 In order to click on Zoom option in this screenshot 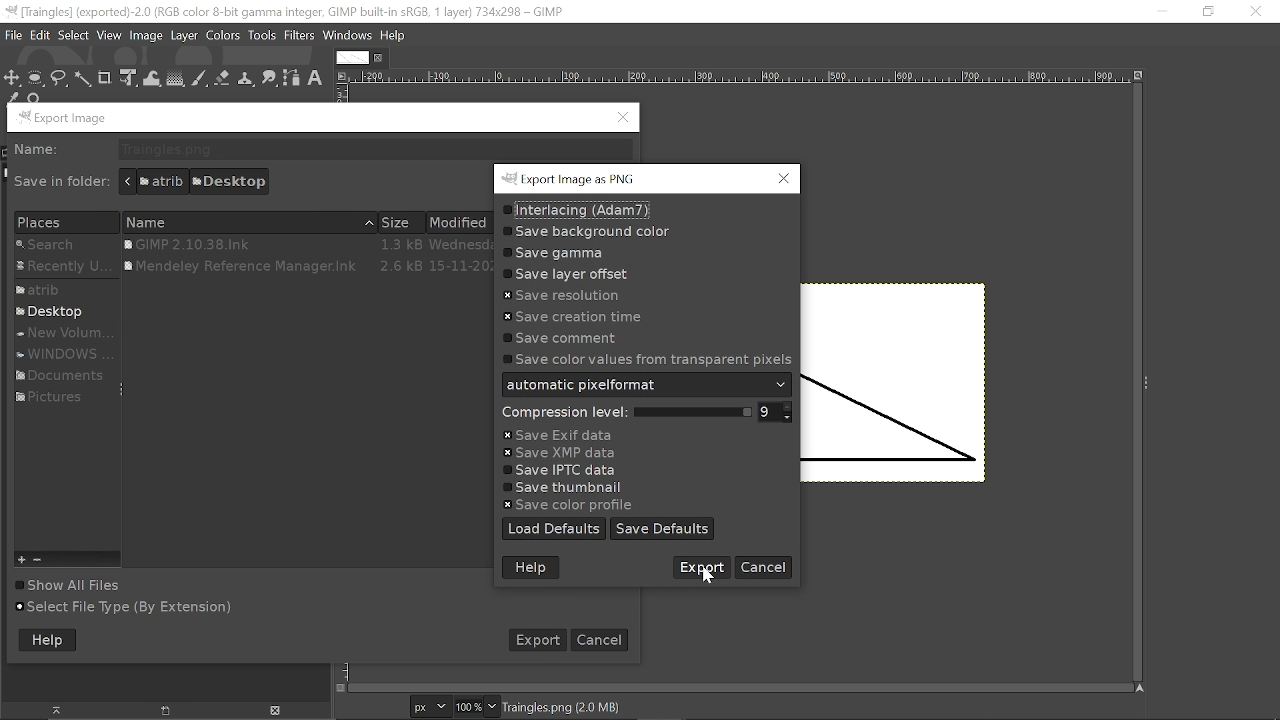, I will do `click(492, 706)`.